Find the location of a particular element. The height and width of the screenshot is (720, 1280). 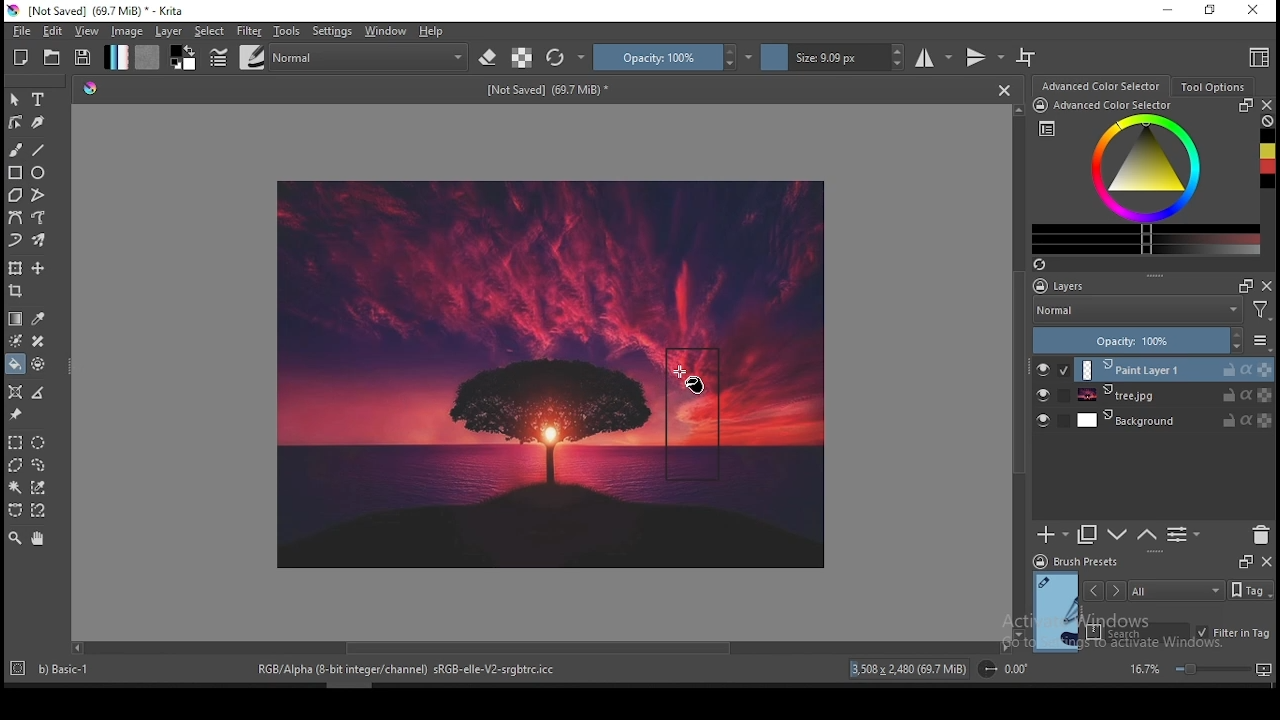

brushes is located at coordinates (251, 57).